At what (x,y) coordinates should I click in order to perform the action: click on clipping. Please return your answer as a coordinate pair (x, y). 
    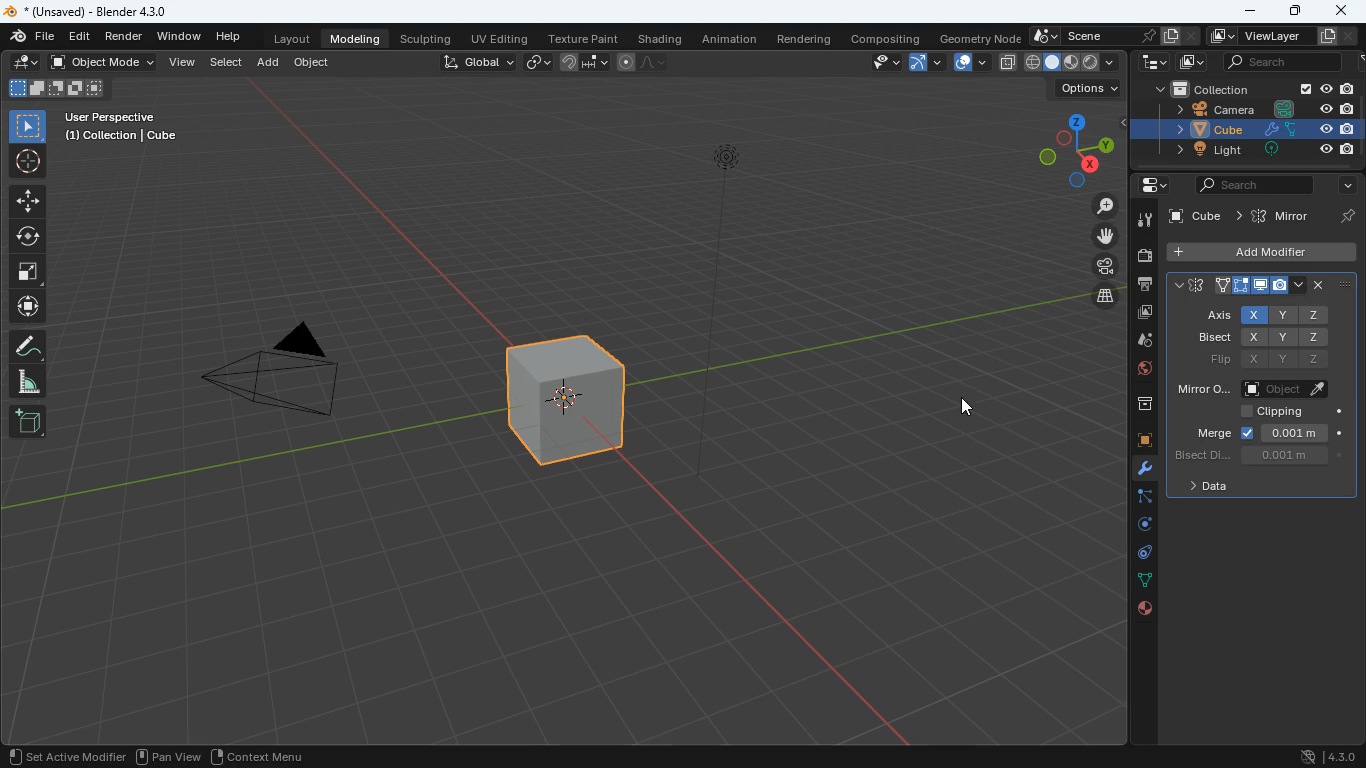
    Looking at the image, I should click on (1280, 414).